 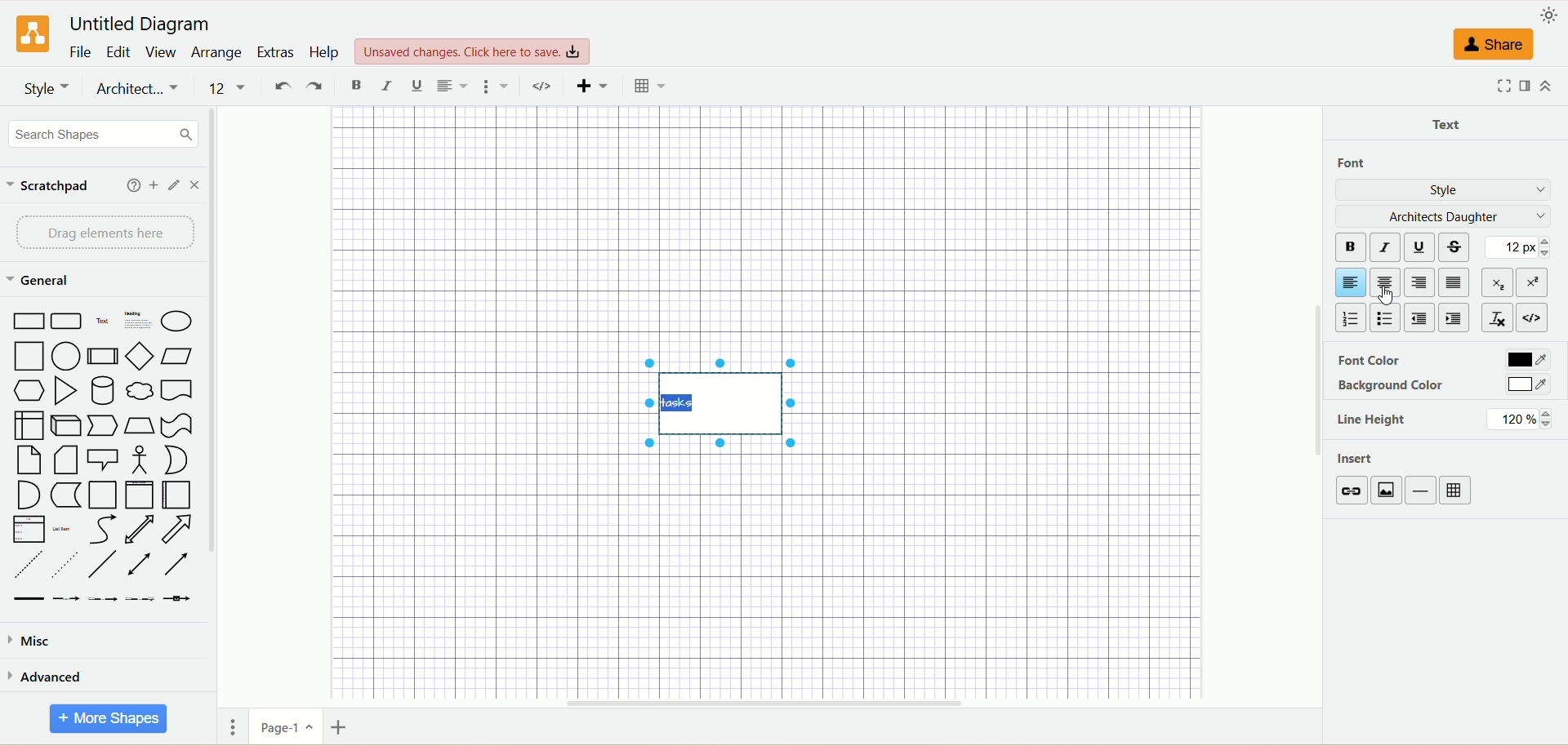 I want to click on Rectangle, so click(x=28, y=321).